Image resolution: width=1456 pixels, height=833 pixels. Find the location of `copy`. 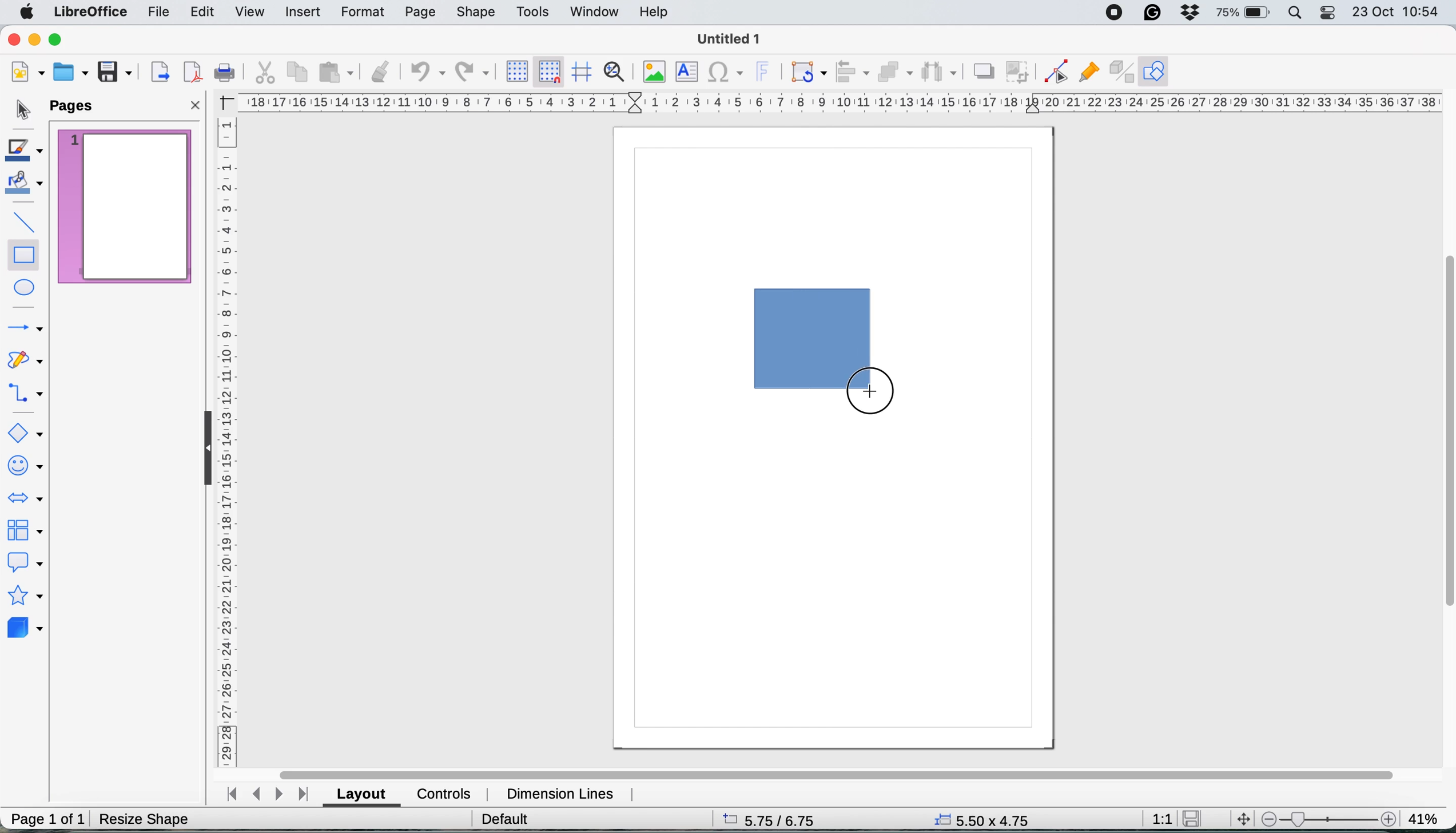

copy is located at coordinates (301, 72).